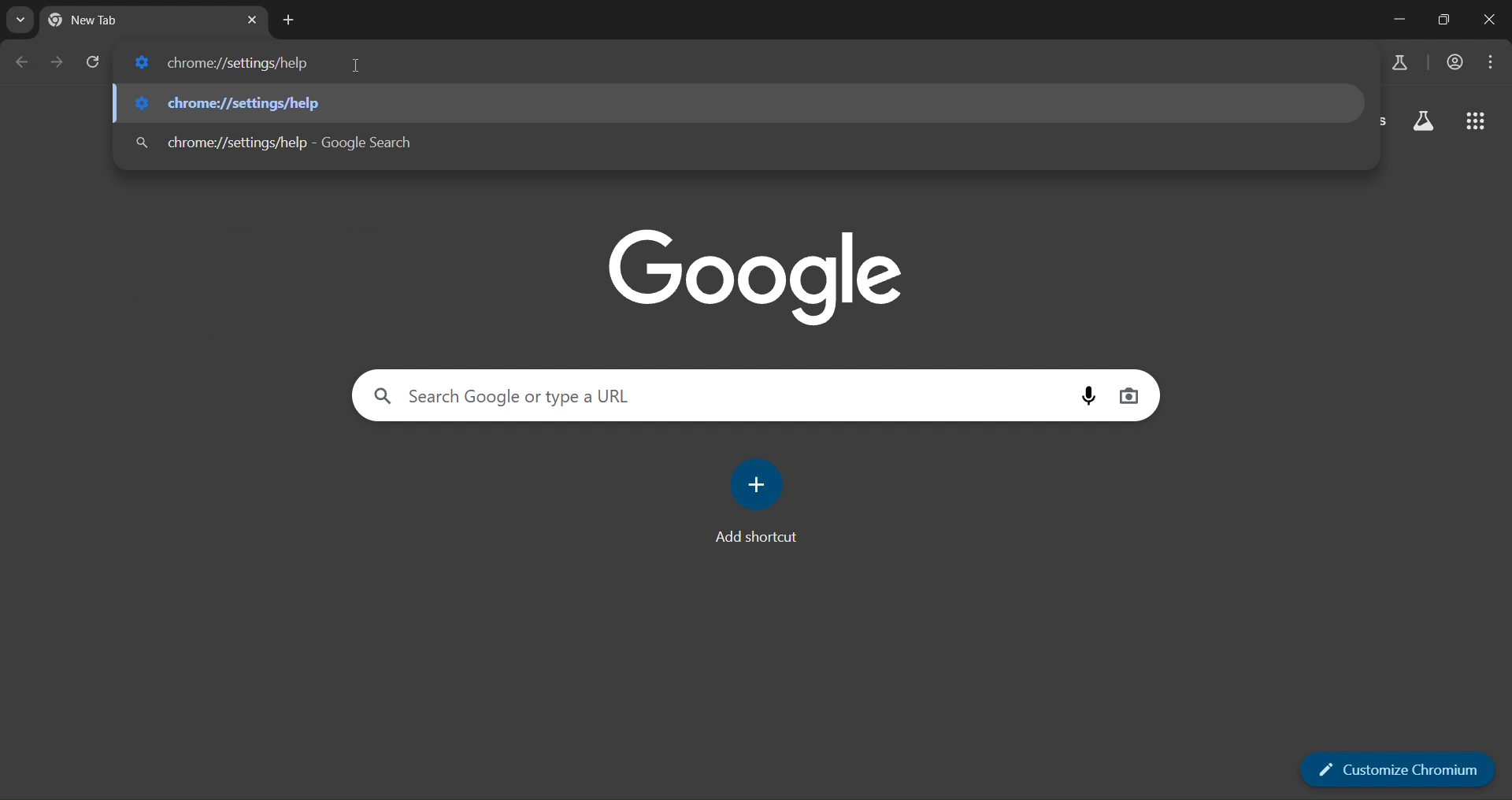 The image size is (1512, 800). What do you see at coordinates (288, 19) in the screenshot?
I see `new tab` at bounding box center [288, 19].